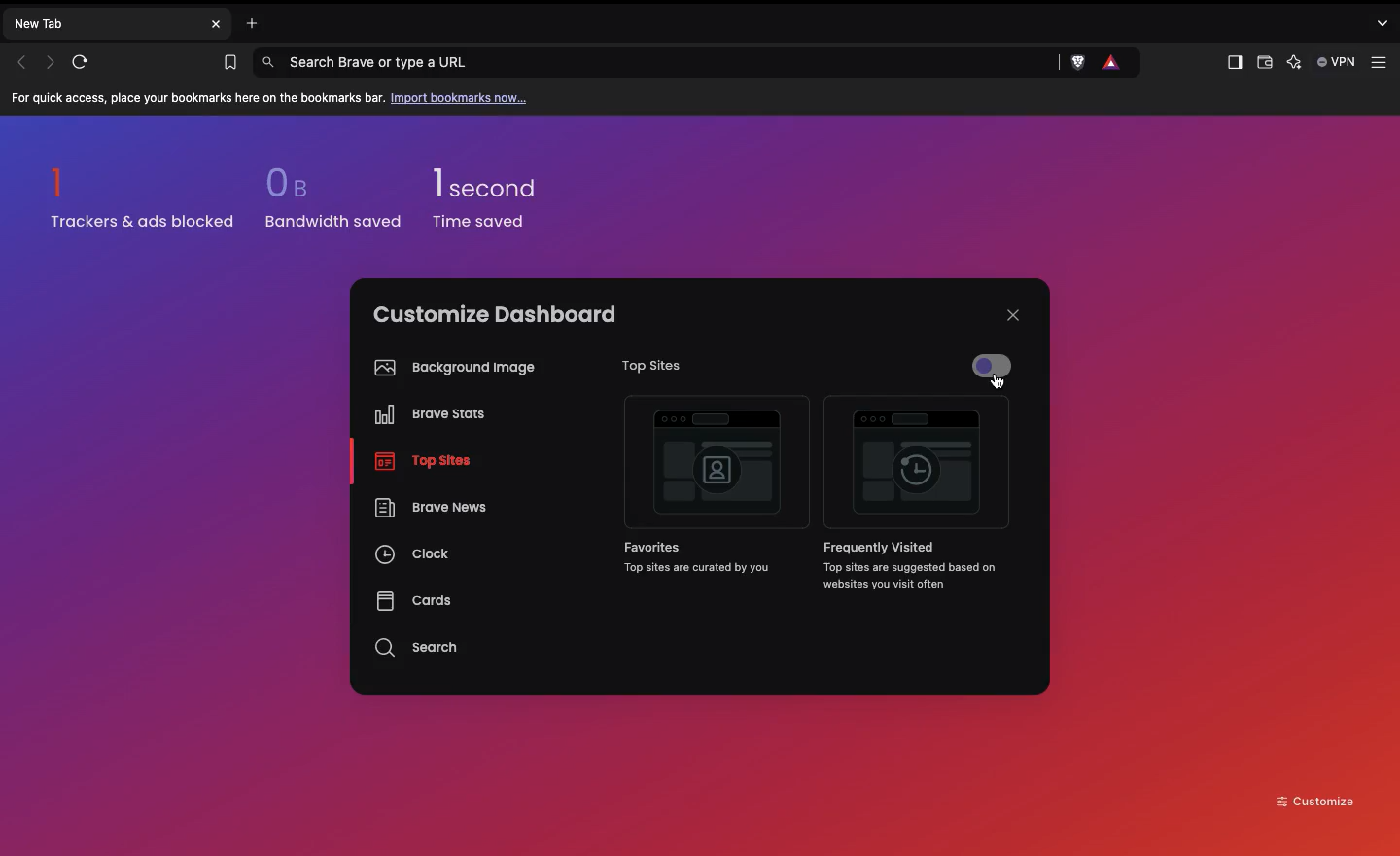 Image resolution: width=1400 pixels, height=856 pixels. I want to click on Close, so click(1013, 315).